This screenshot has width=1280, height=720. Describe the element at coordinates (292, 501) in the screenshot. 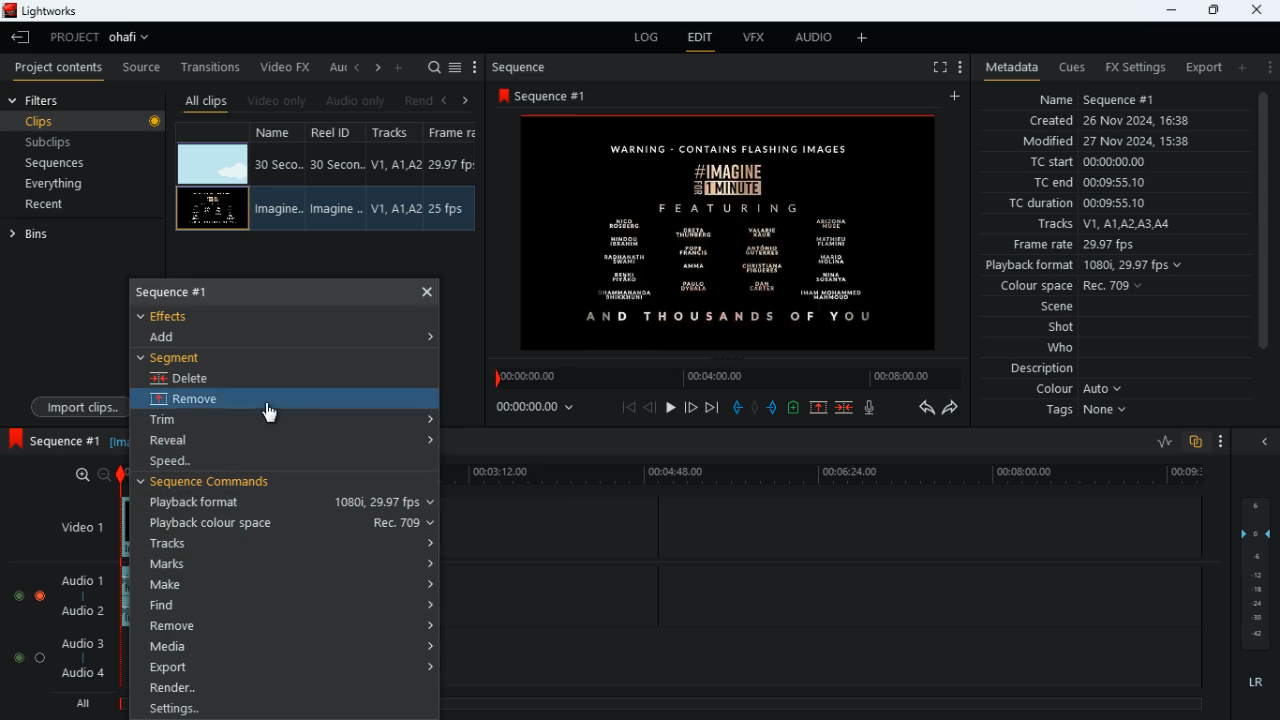

I see `playback formats` at that location.